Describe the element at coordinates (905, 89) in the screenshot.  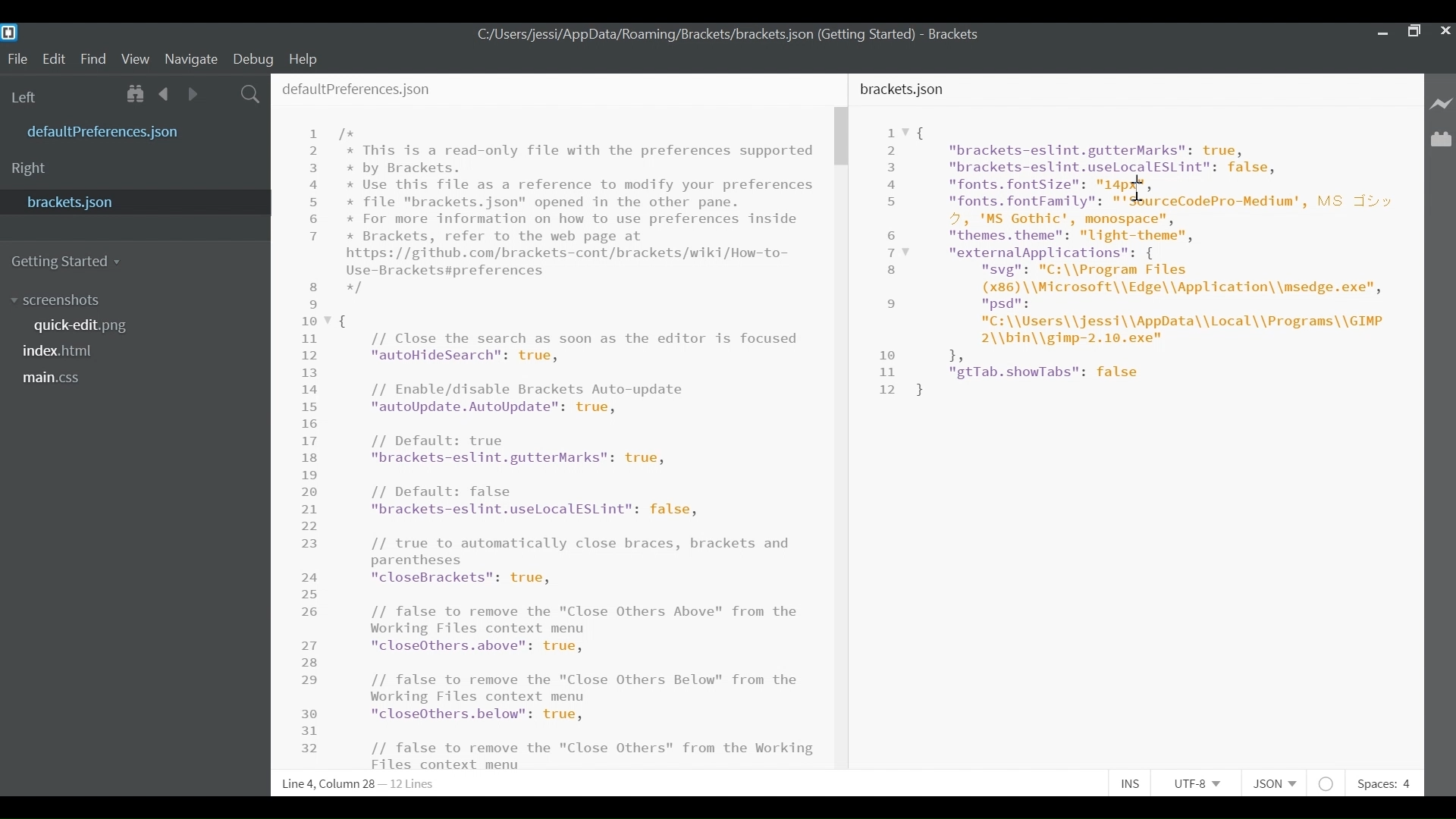
I see `bracket.json` at that location.